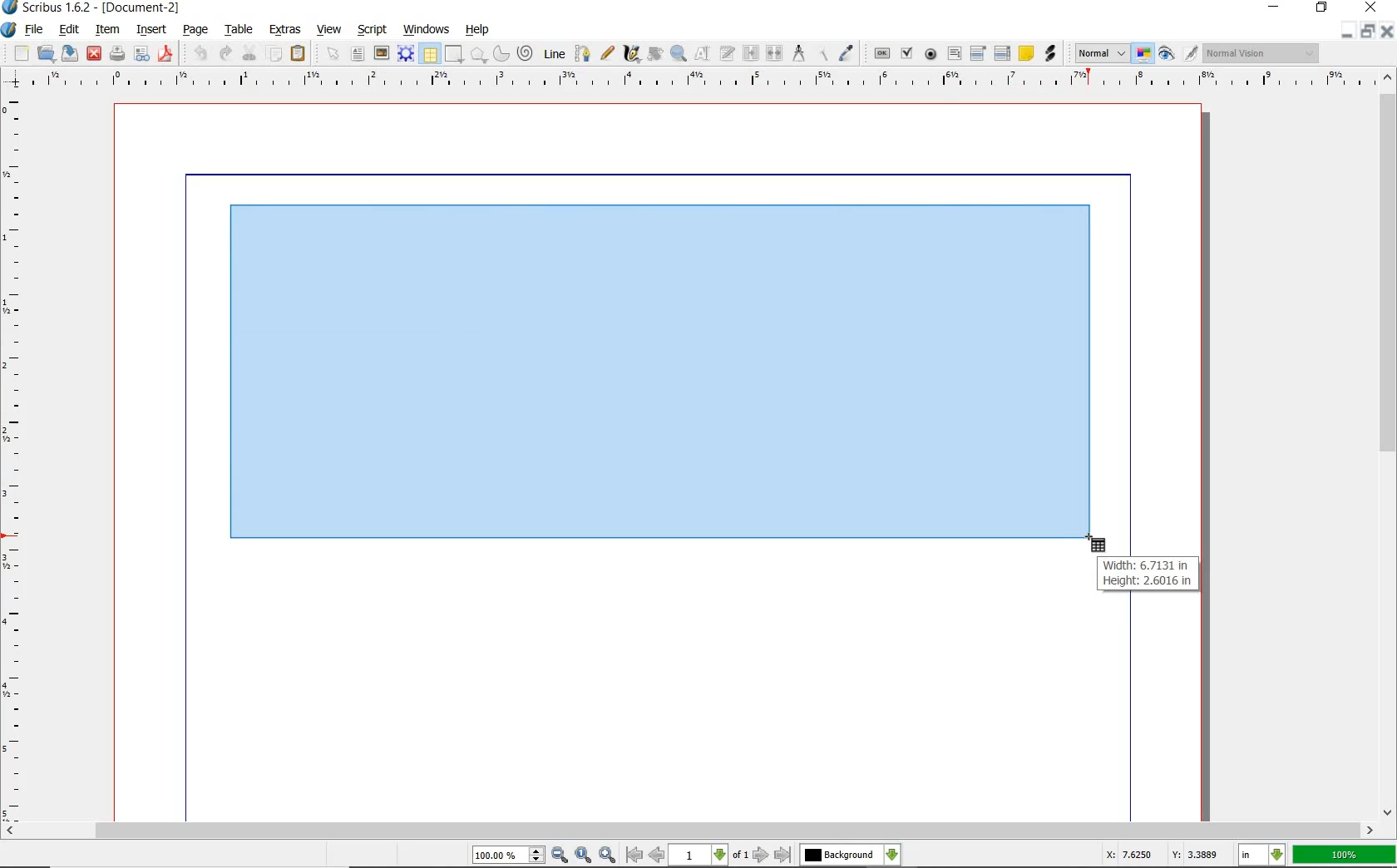 This screenshot has height=868, width=1397. I want to click on new, so click(22, 52).